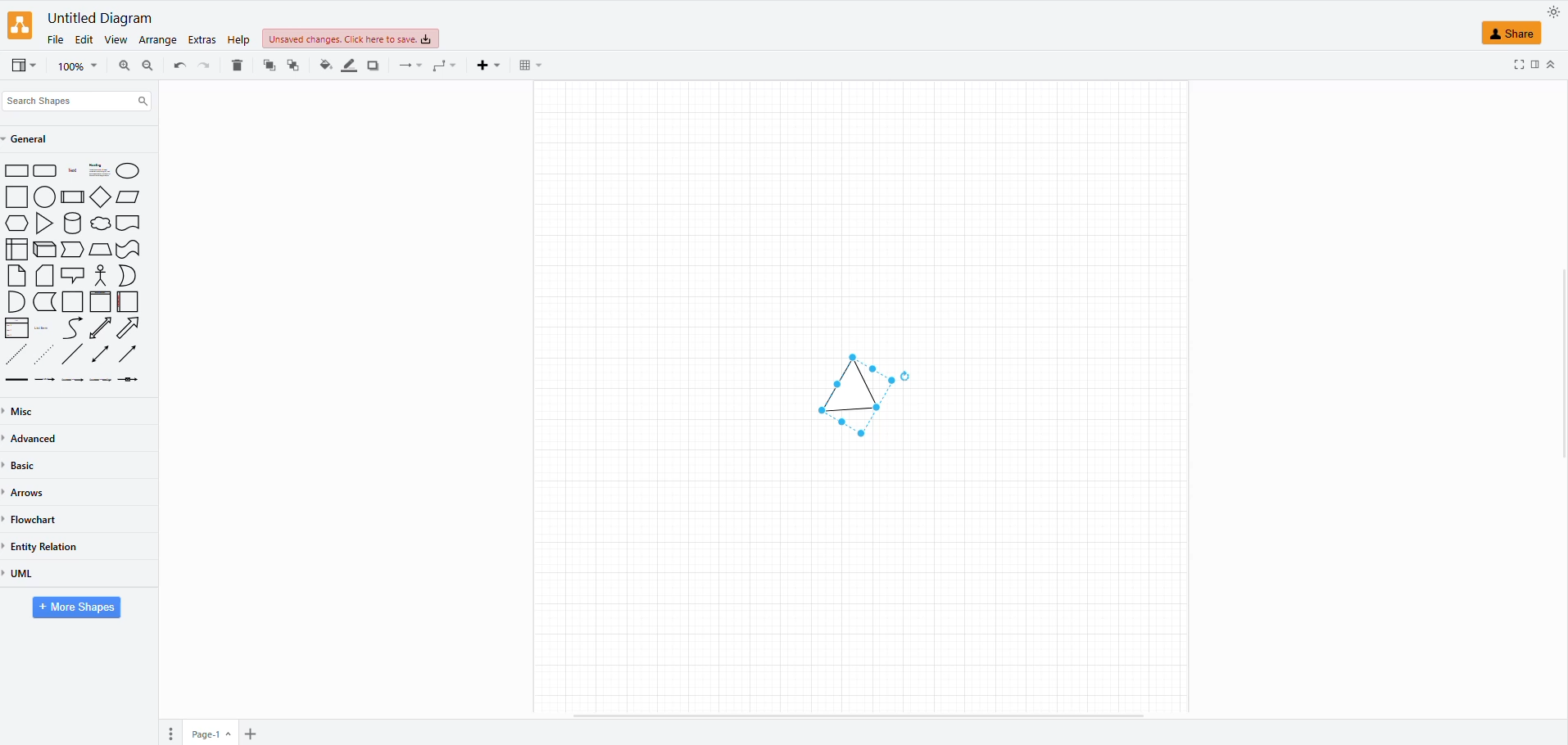 The image size is (1568, 745). What do you see at coordinates (17, 276) in the screenshot?
I see `File Icon` at bounding box center [17, 276].